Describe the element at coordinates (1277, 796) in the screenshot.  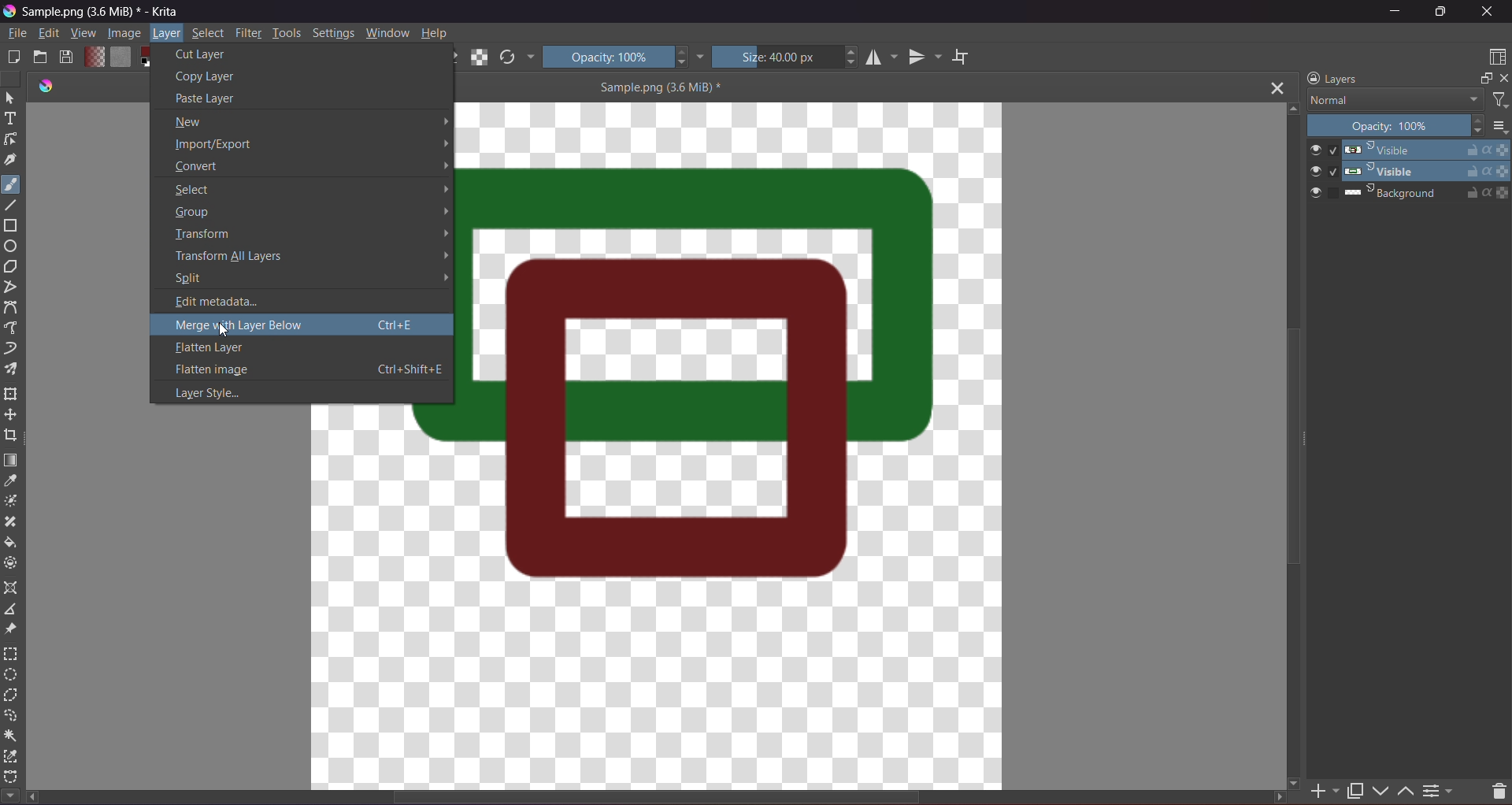
I see `Scroll Right` at that location.